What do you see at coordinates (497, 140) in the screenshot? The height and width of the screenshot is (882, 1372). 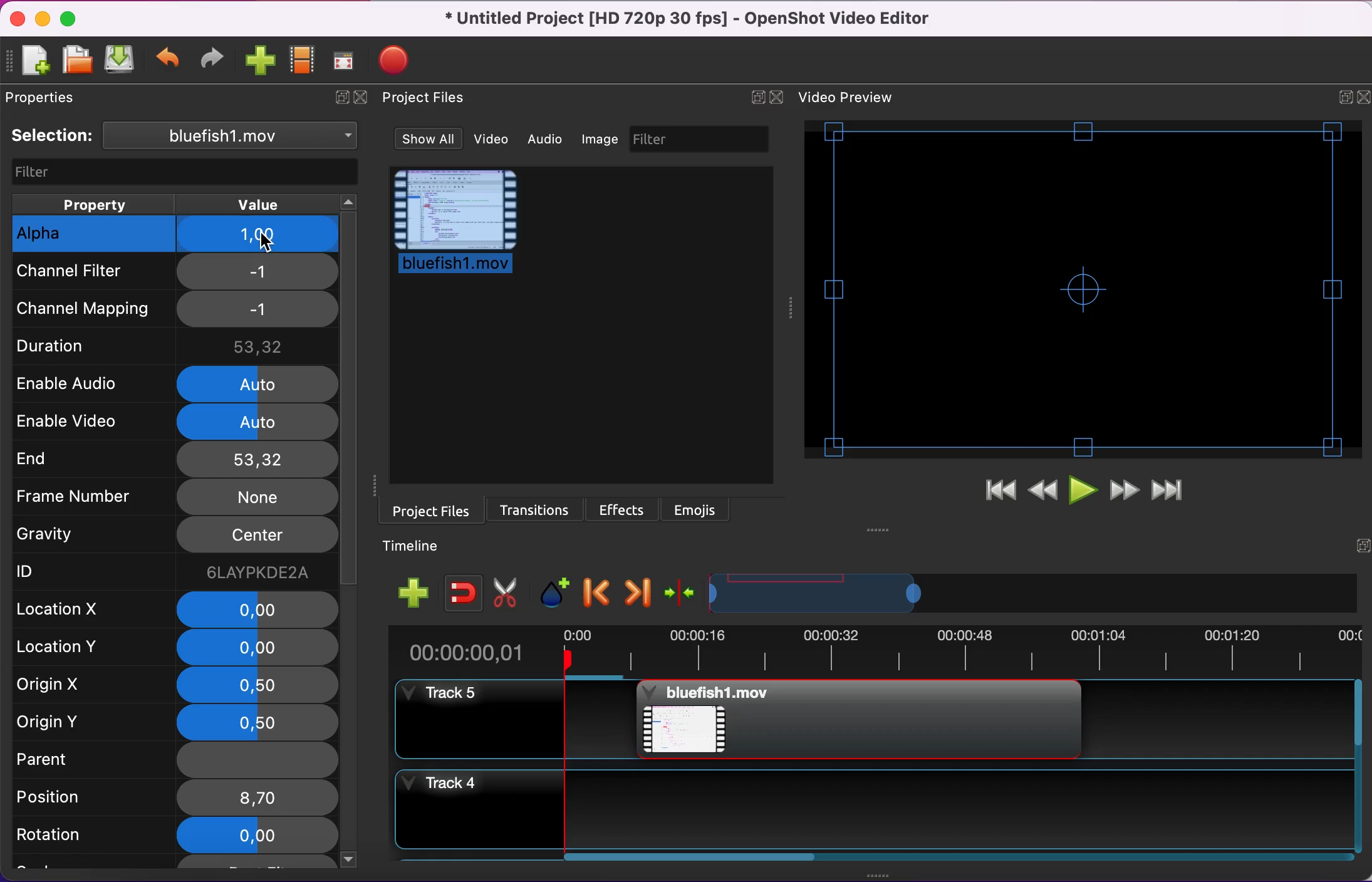 I see `video` at bounding box center [497, 140].